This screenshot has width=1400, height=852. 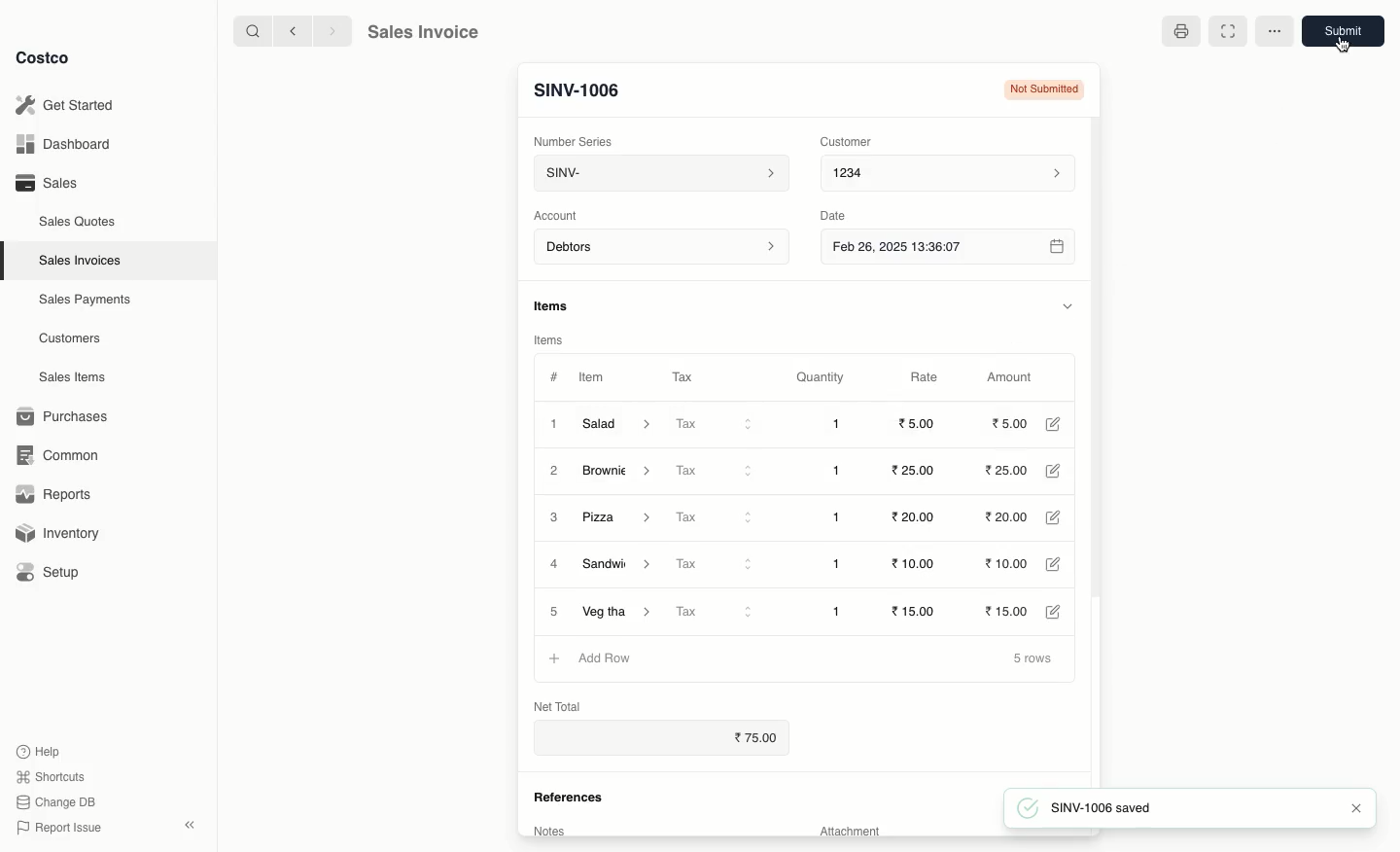 What do you see at coordinates (569, 798) in the screenshot?
I see `References` at bounding box center [569, 798].